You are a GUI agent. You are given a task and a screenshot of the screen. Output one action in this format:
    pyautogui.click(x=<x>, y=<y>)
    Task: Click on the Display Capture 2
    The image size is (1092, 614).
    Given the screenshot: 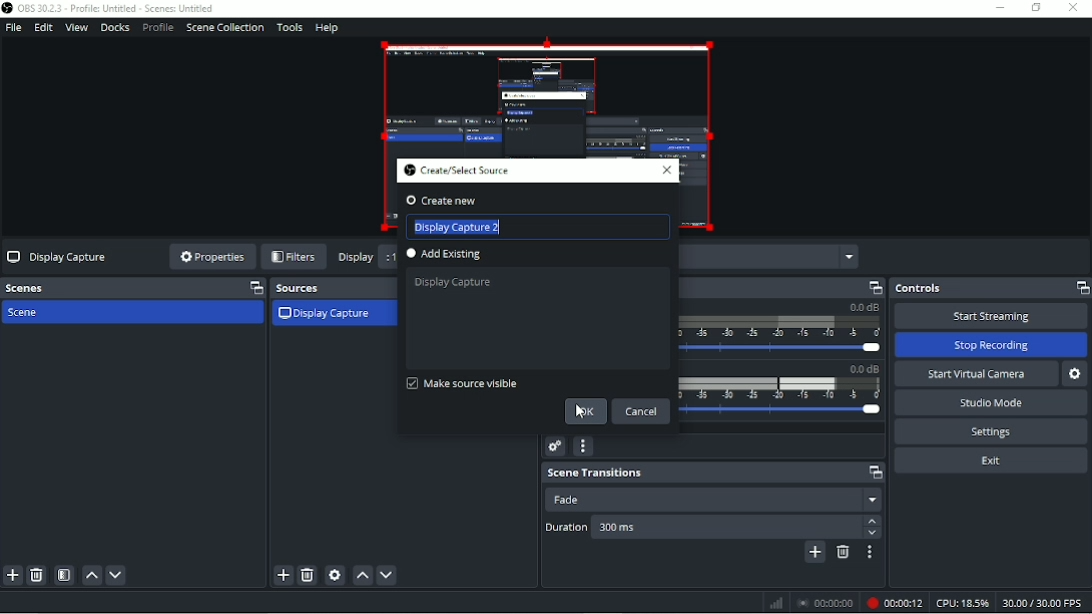 What is the action you would take?
    pyautogui.click(x=540, y=227)
    